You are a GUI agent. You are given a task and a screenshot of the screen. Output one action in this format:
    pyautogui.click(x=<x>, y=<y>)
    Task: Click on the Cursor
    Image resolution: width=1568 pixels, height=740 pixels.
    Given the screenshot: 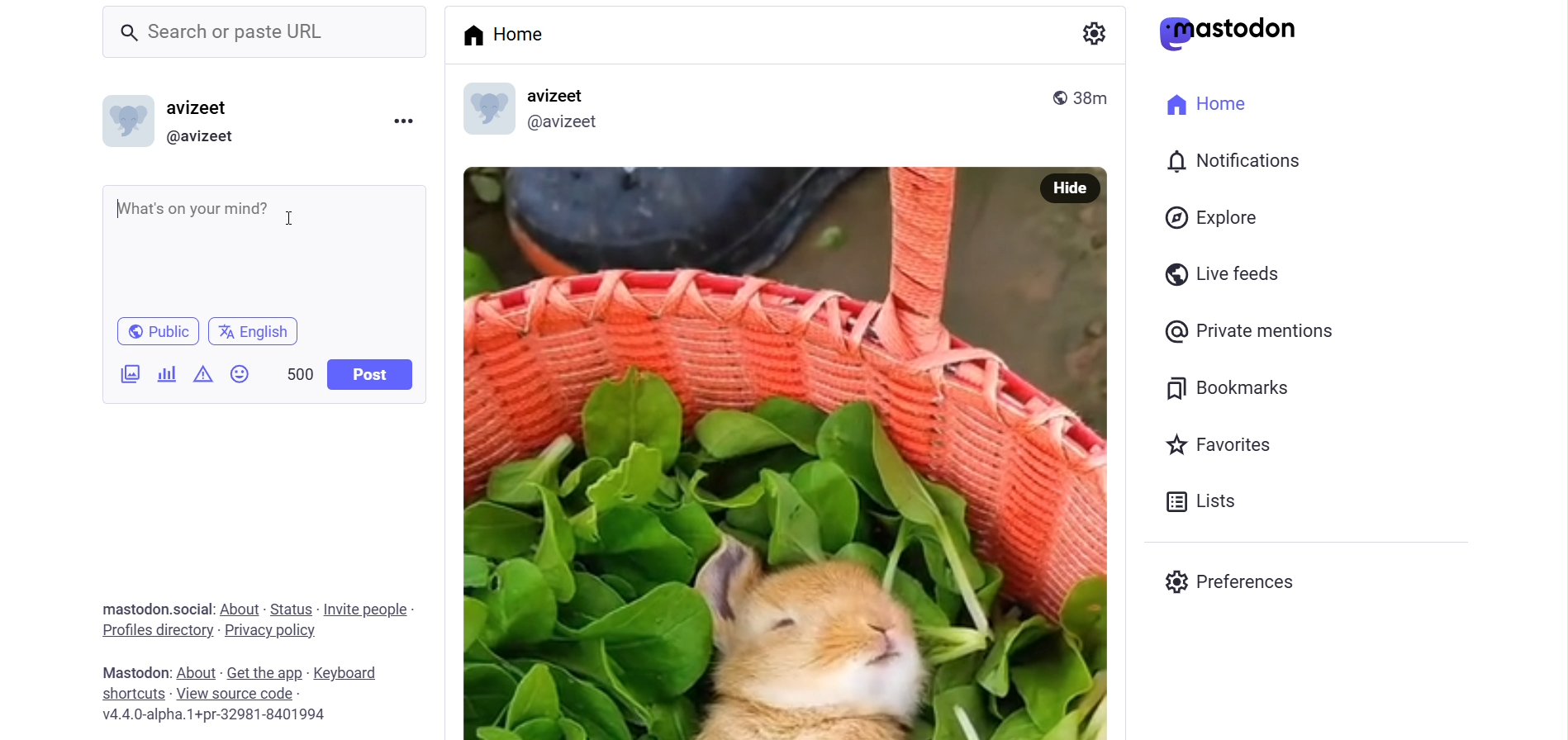 What is the action you would take?
    pyautogui.click(x=289, y=216)
    